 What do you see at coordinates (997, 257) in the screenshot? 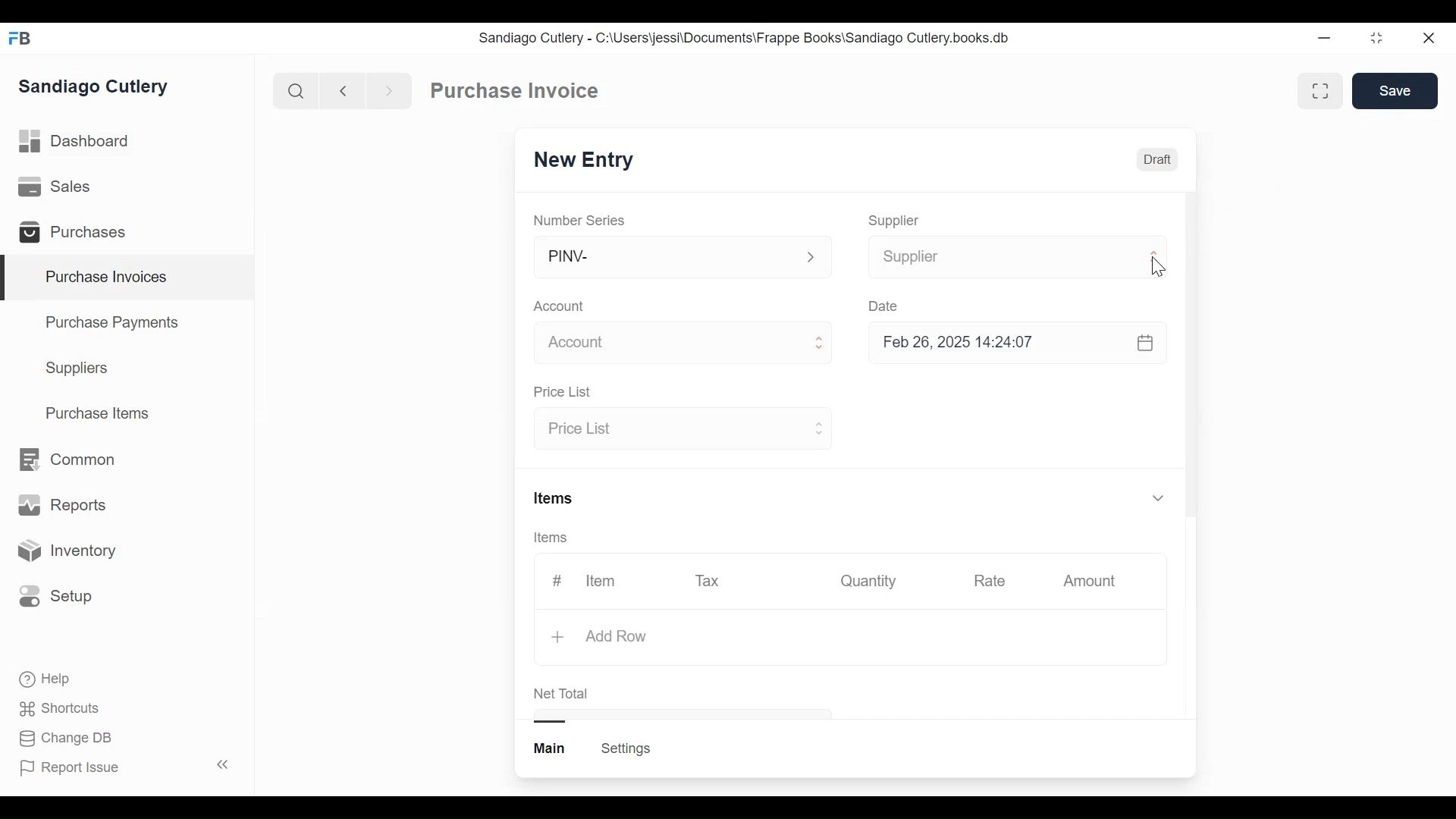
I see `Supplier` at bounding box center [997, 257].